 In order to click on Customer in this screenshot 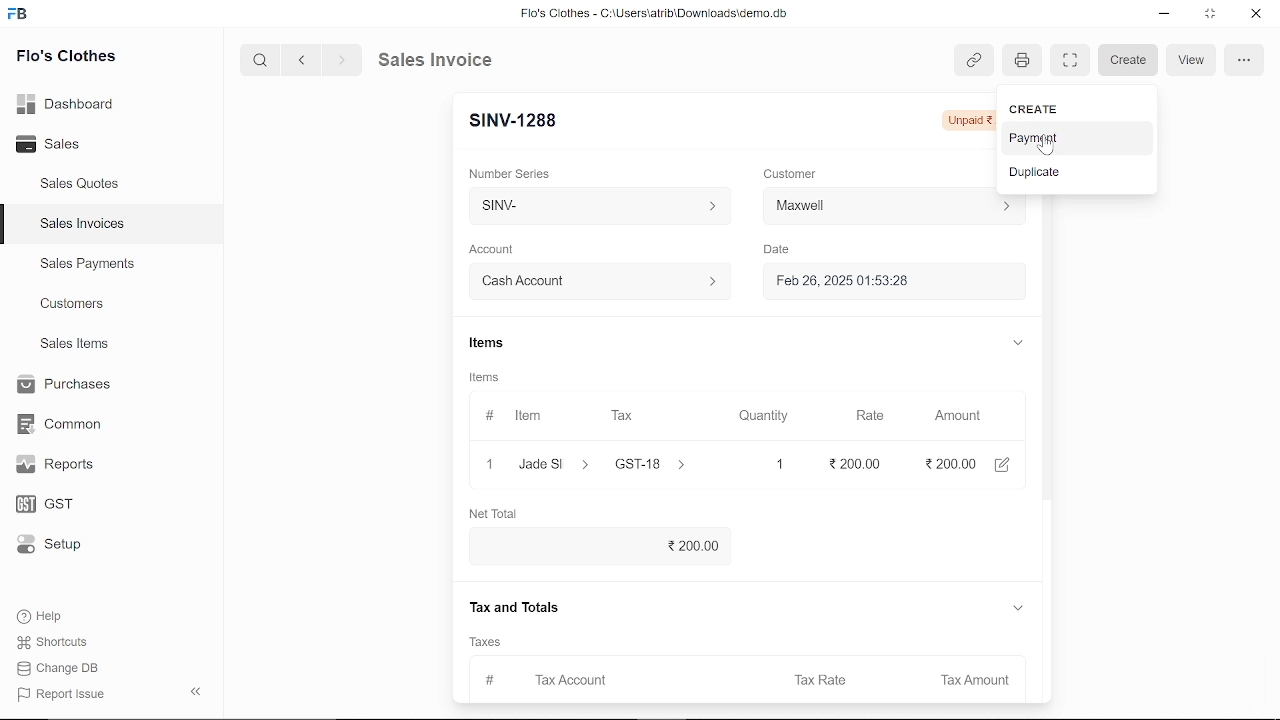, I will do `click(792, 173)`.